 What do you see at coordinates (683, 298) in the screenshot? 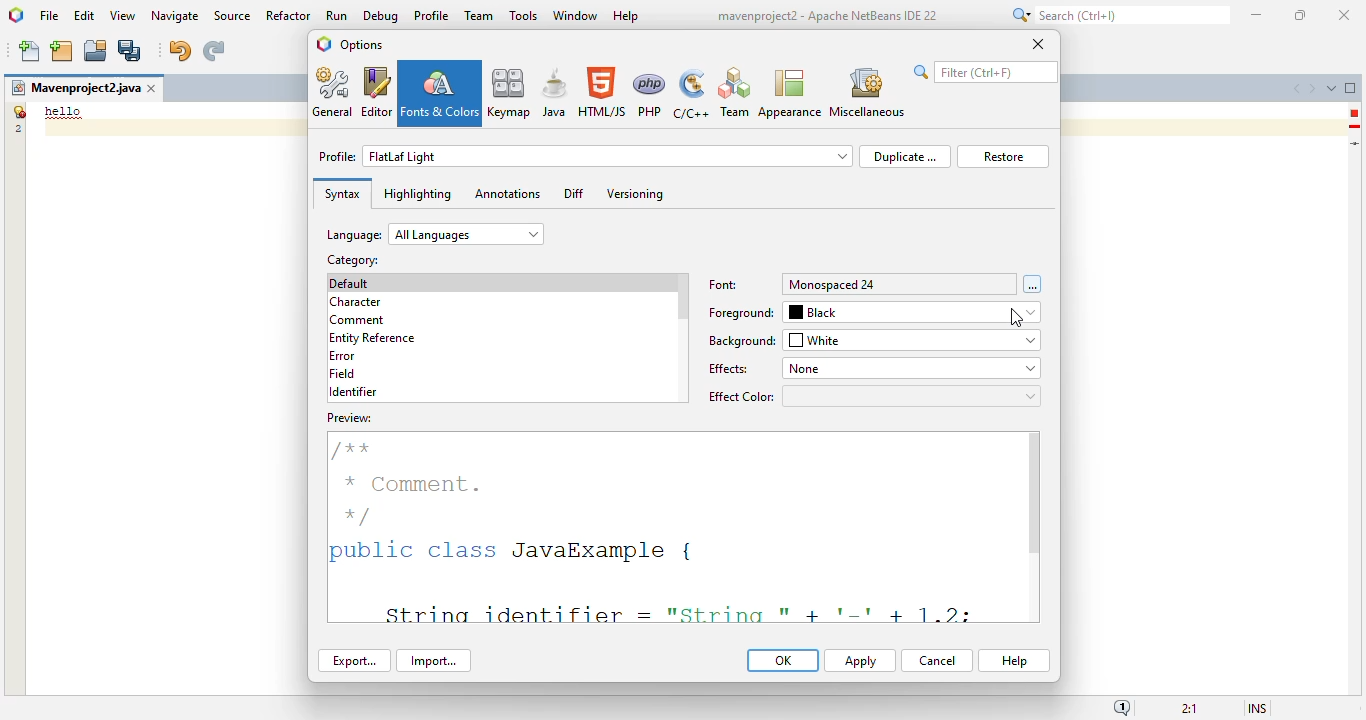
I see `vertical scroll bar` at bounding box center [683, 298].